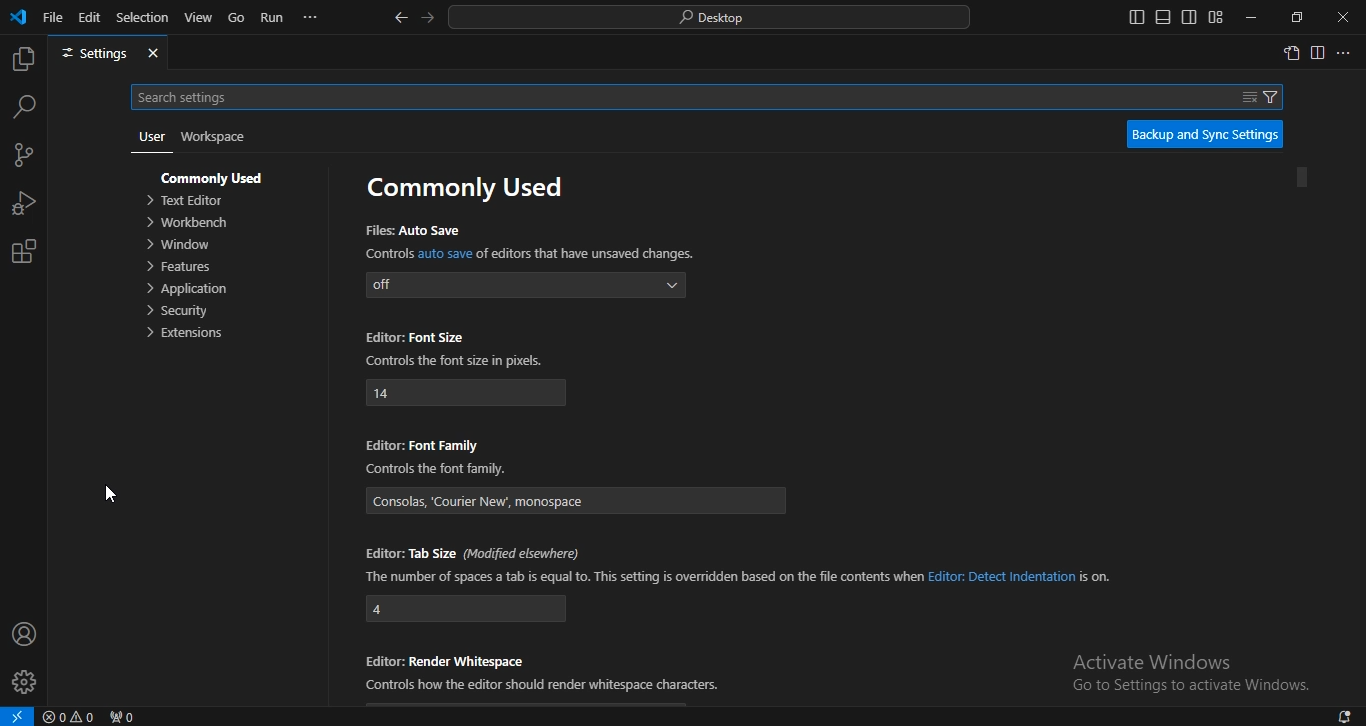  Describe the element at coordinates (24, 157) in the screenshot. I see `source control` at that location.